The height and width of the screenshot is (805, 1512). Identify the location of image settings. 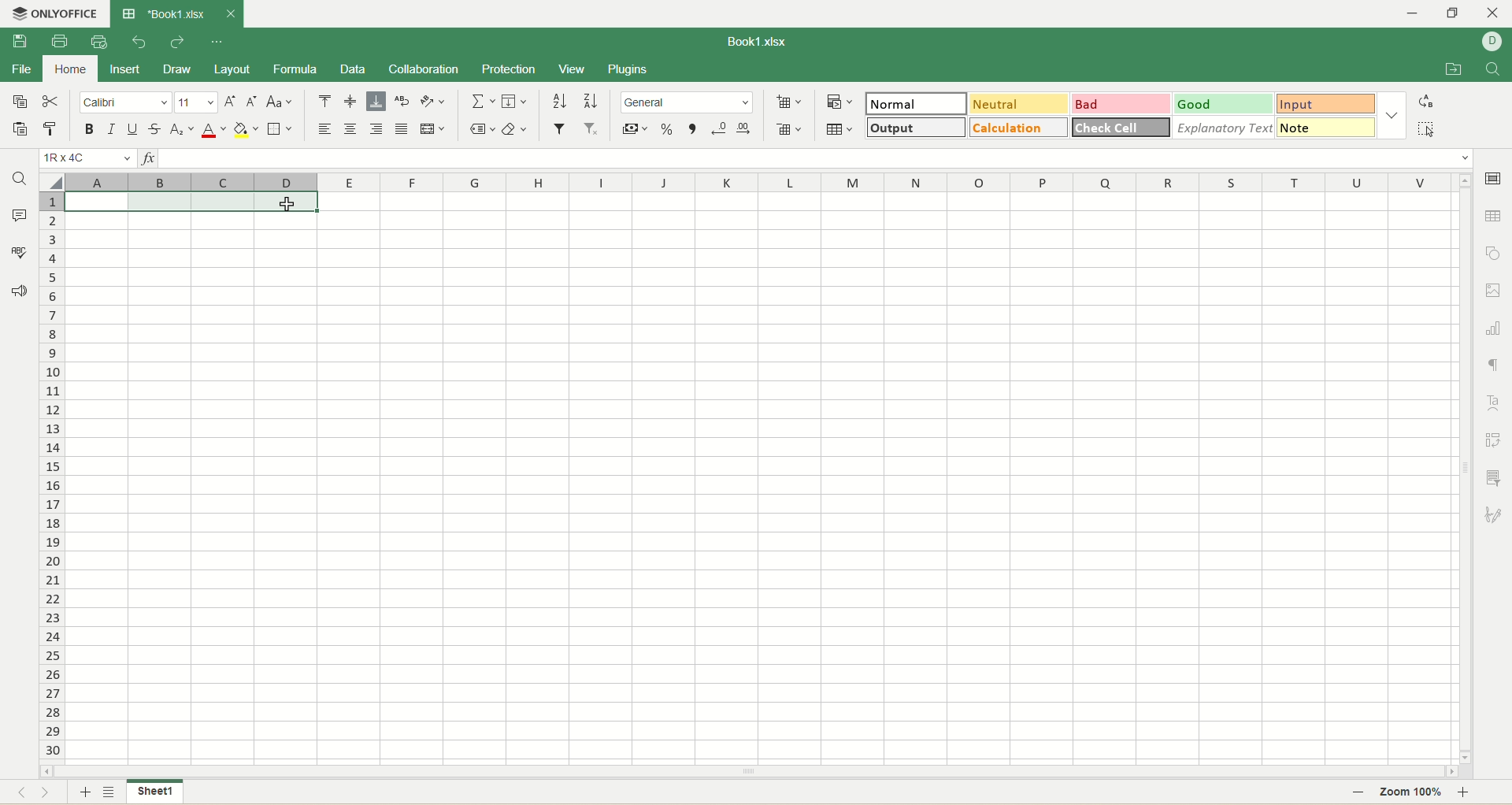
(1495, 290).